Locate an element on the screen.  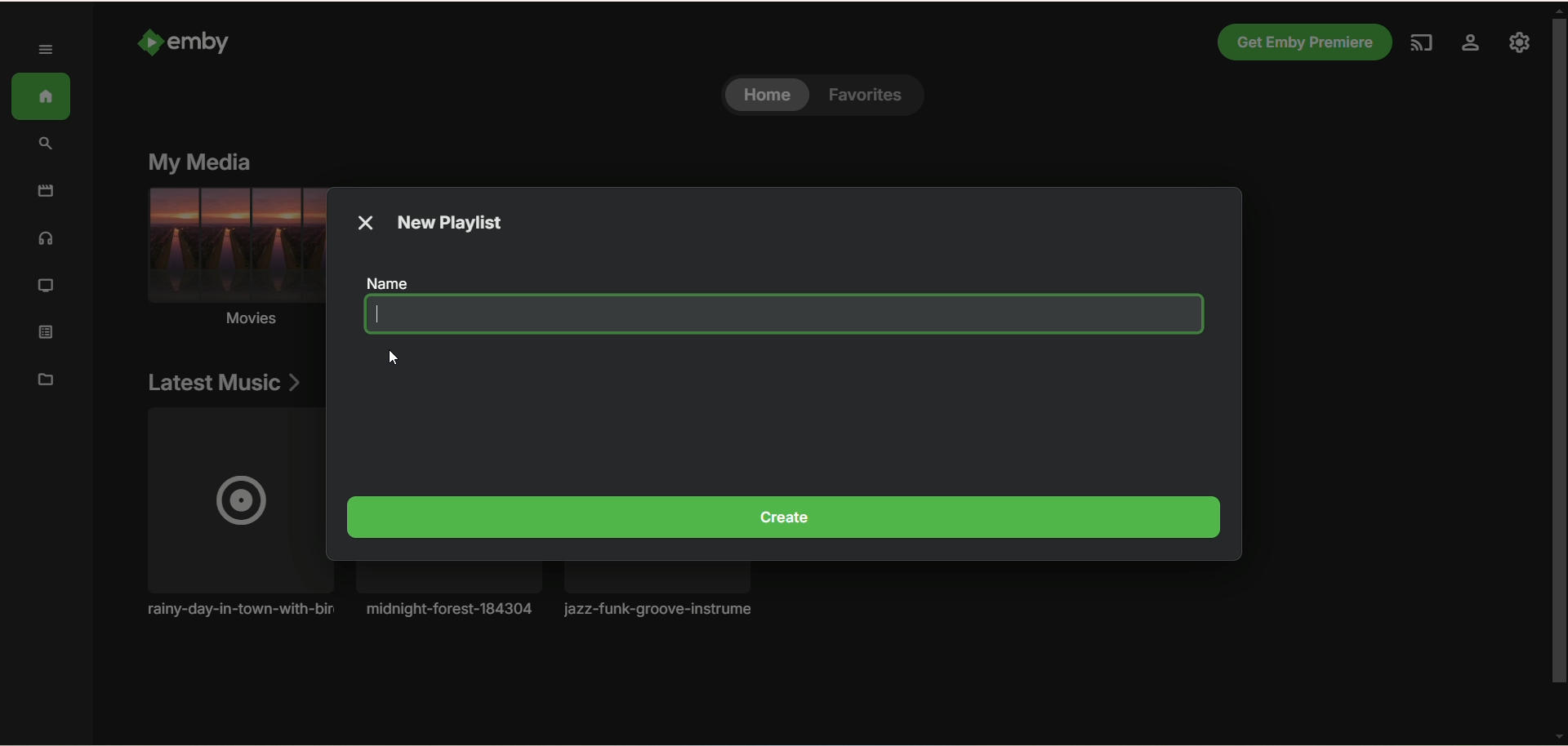
music is located at coordinates (47, 242).